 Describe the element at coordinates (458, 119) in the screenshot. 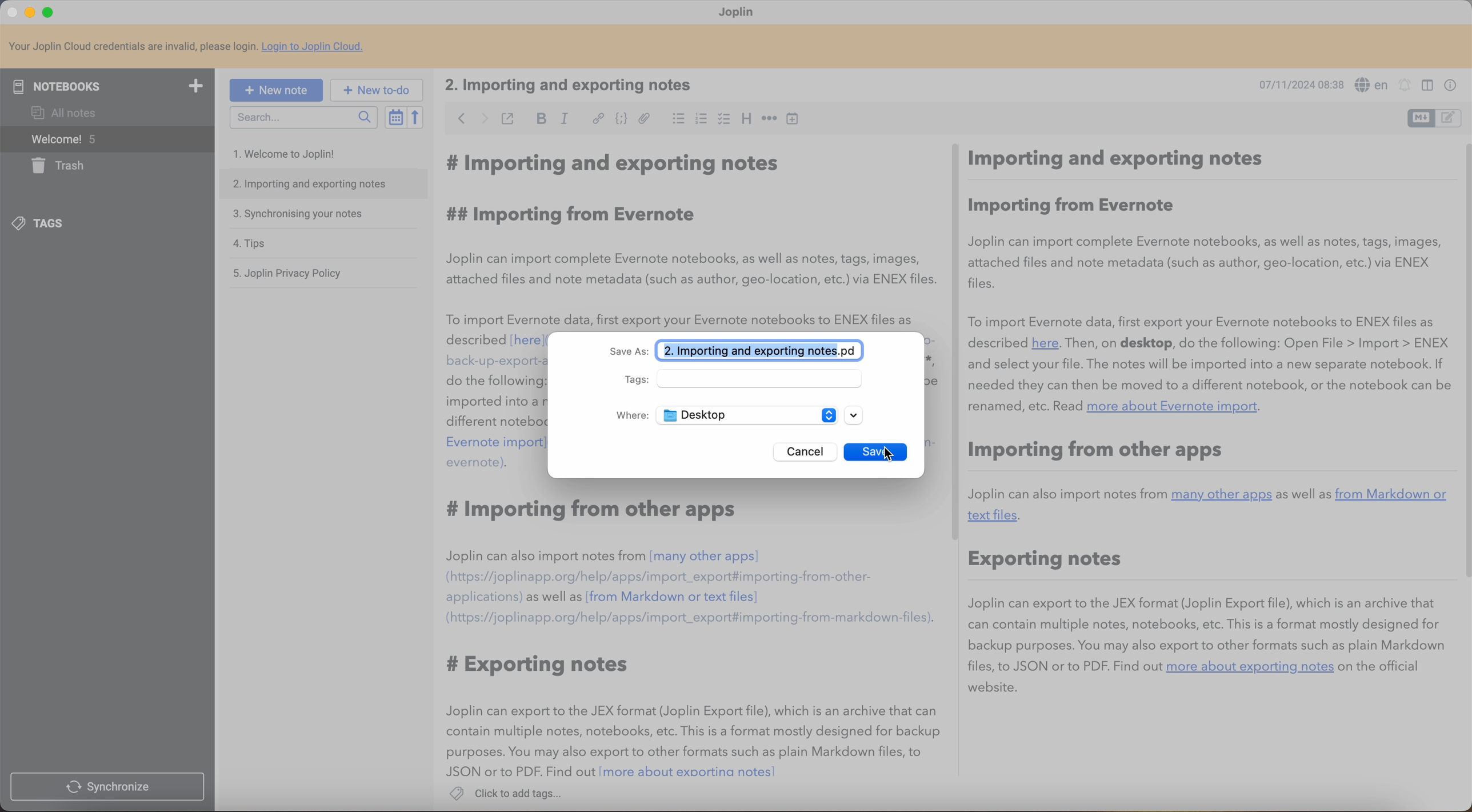

I see `back` at that location.